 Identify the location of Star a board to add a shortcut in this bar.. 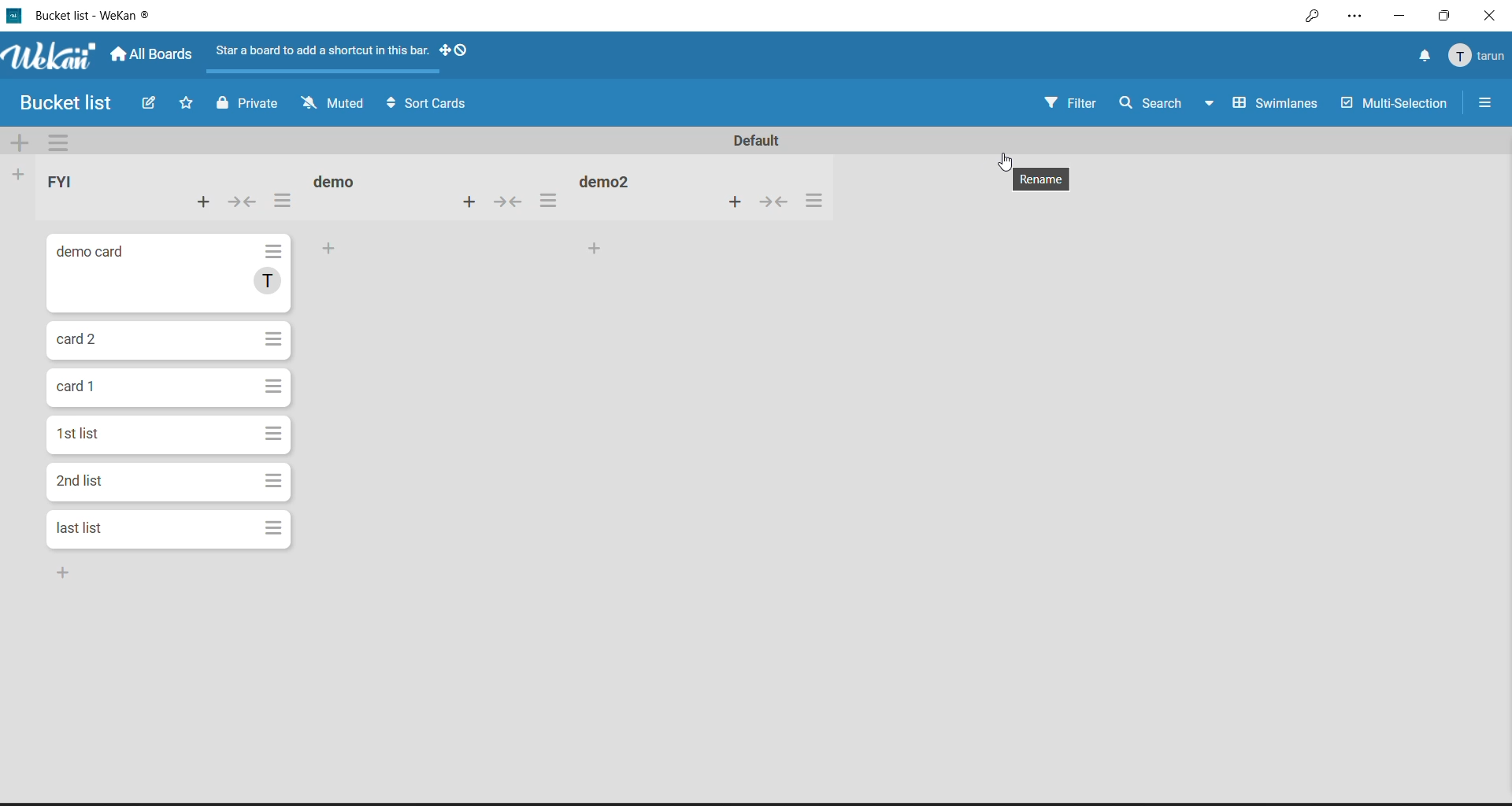
(324, 50).